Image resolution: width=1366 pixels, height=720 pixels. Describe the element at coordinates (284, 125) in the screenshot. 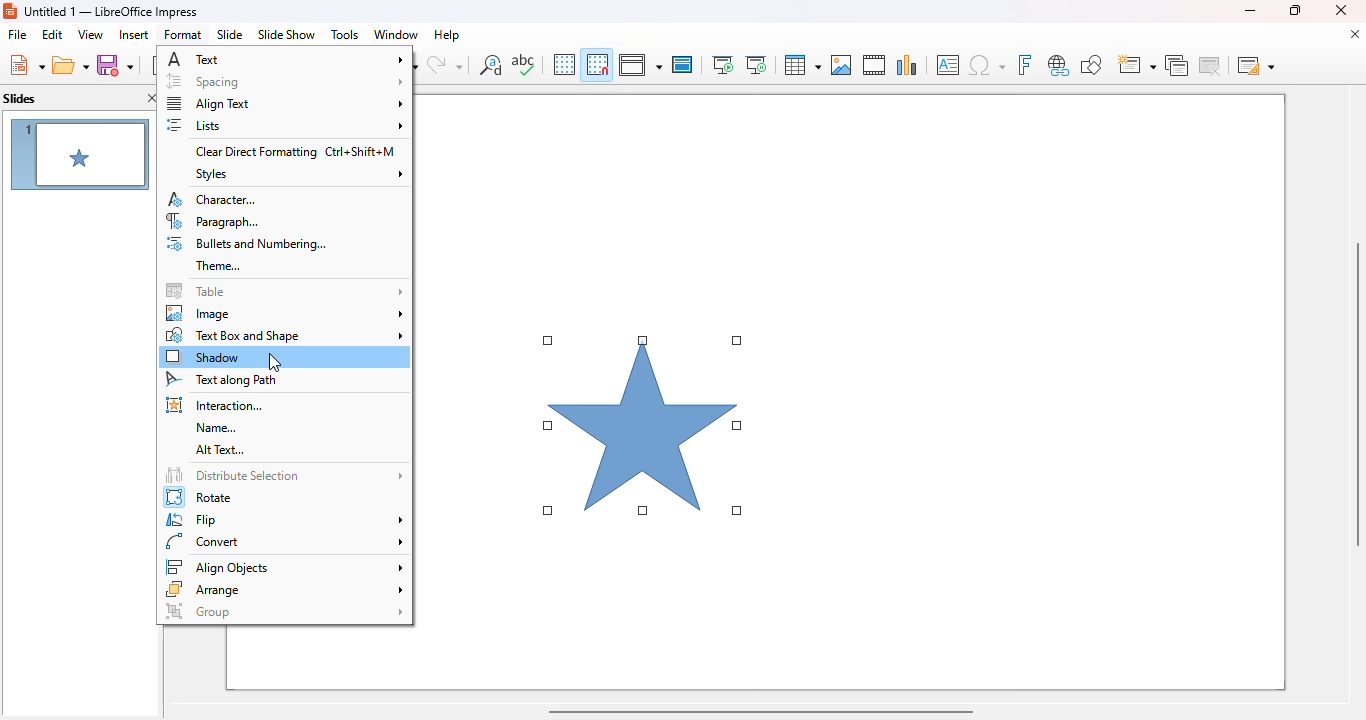

I see `lists` at that location.